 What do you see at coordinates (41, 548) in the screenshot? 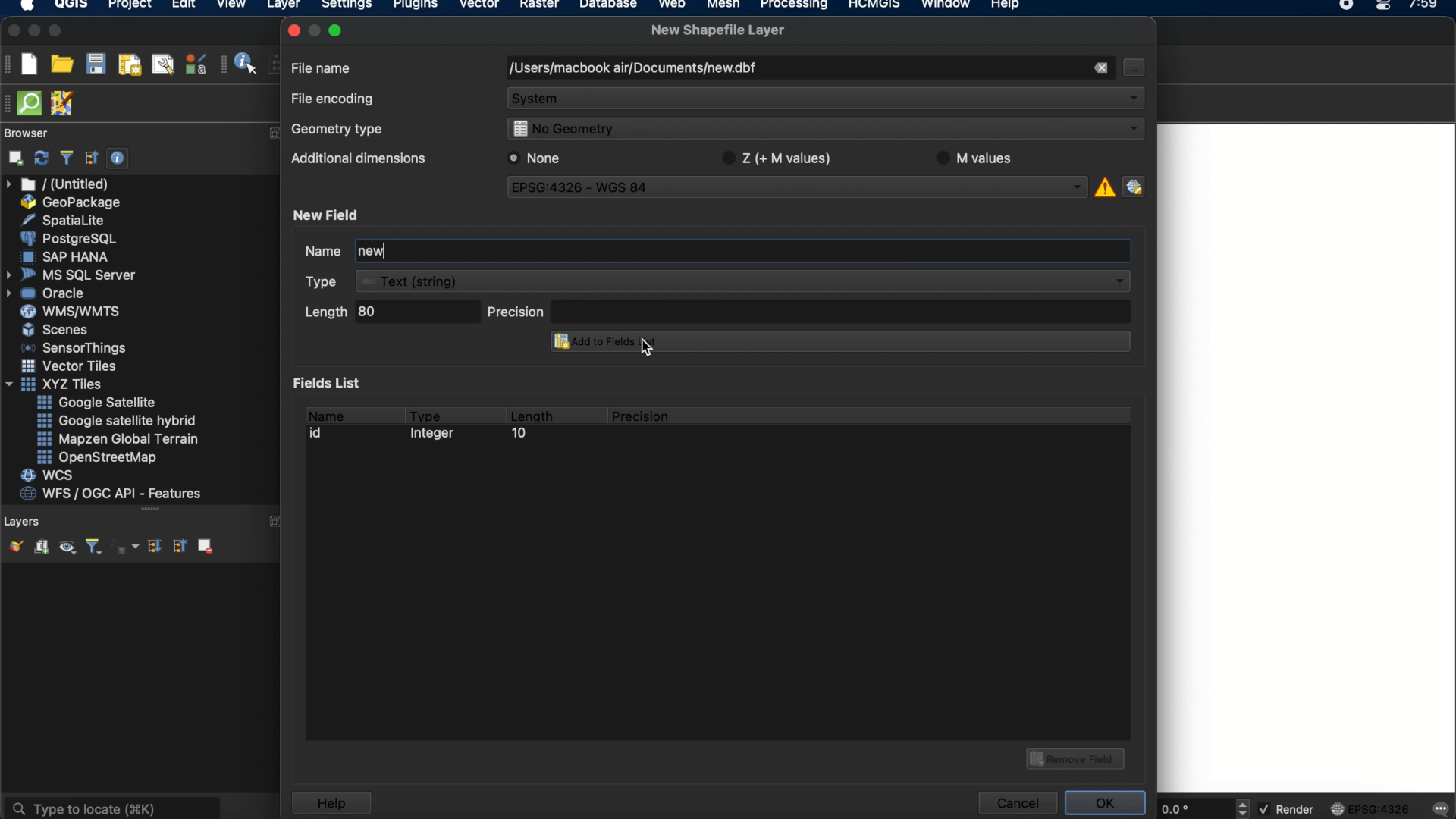
I see `add group` at bounding box center [41, 548].